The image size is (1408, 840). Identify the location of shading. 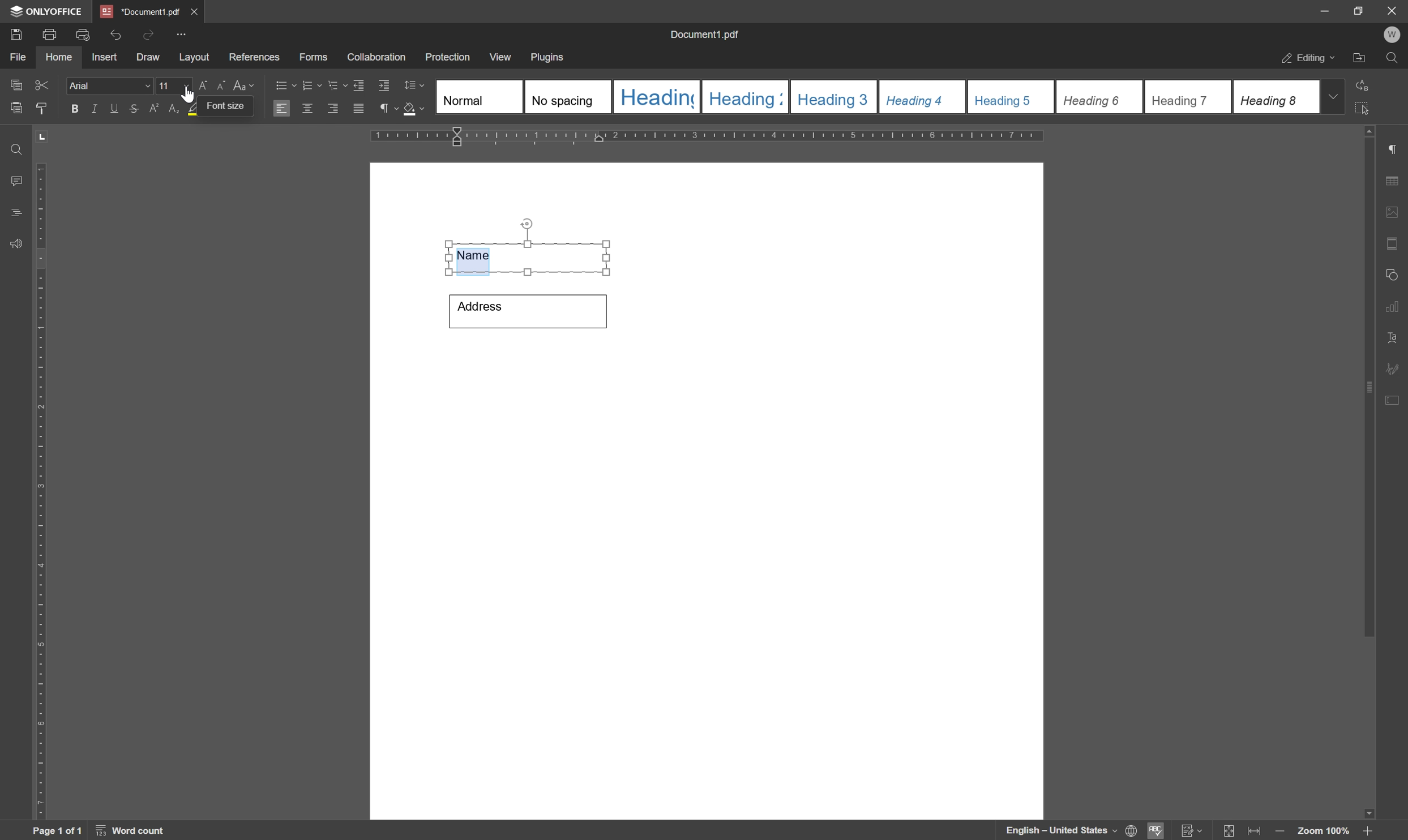
(414, 110).